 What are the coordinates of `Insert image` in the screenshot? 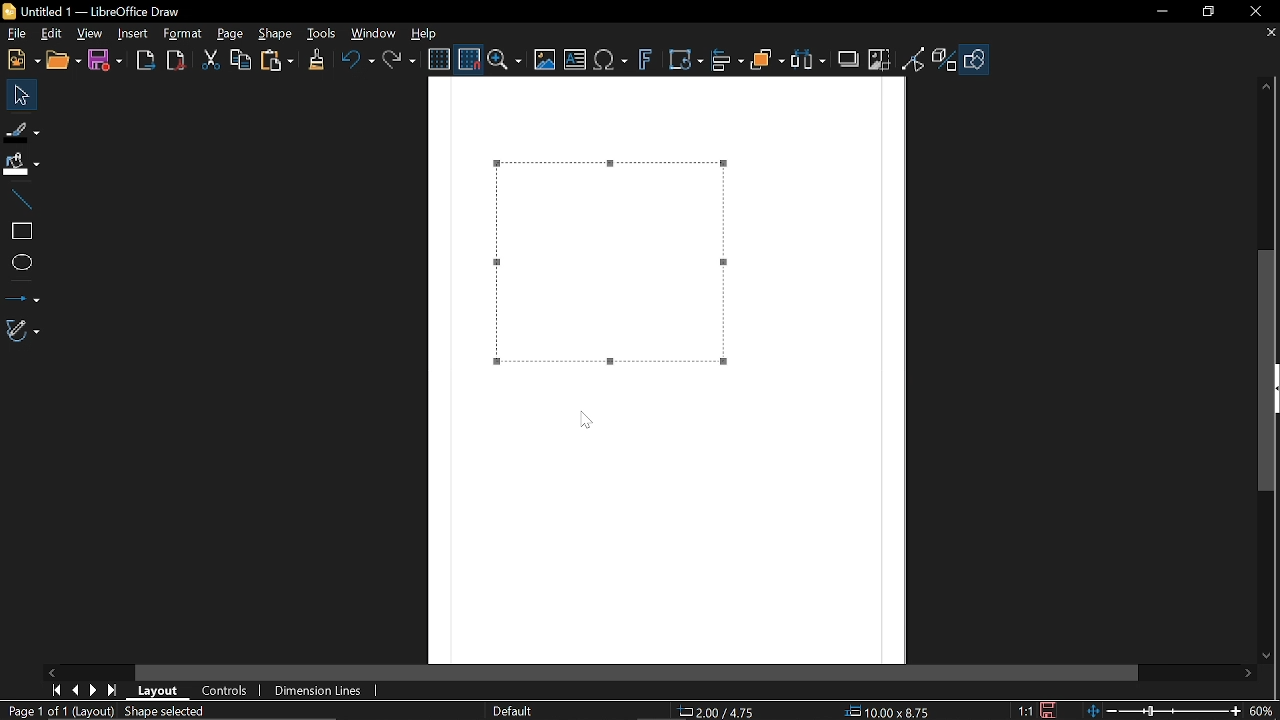 It's located at (543, 61).